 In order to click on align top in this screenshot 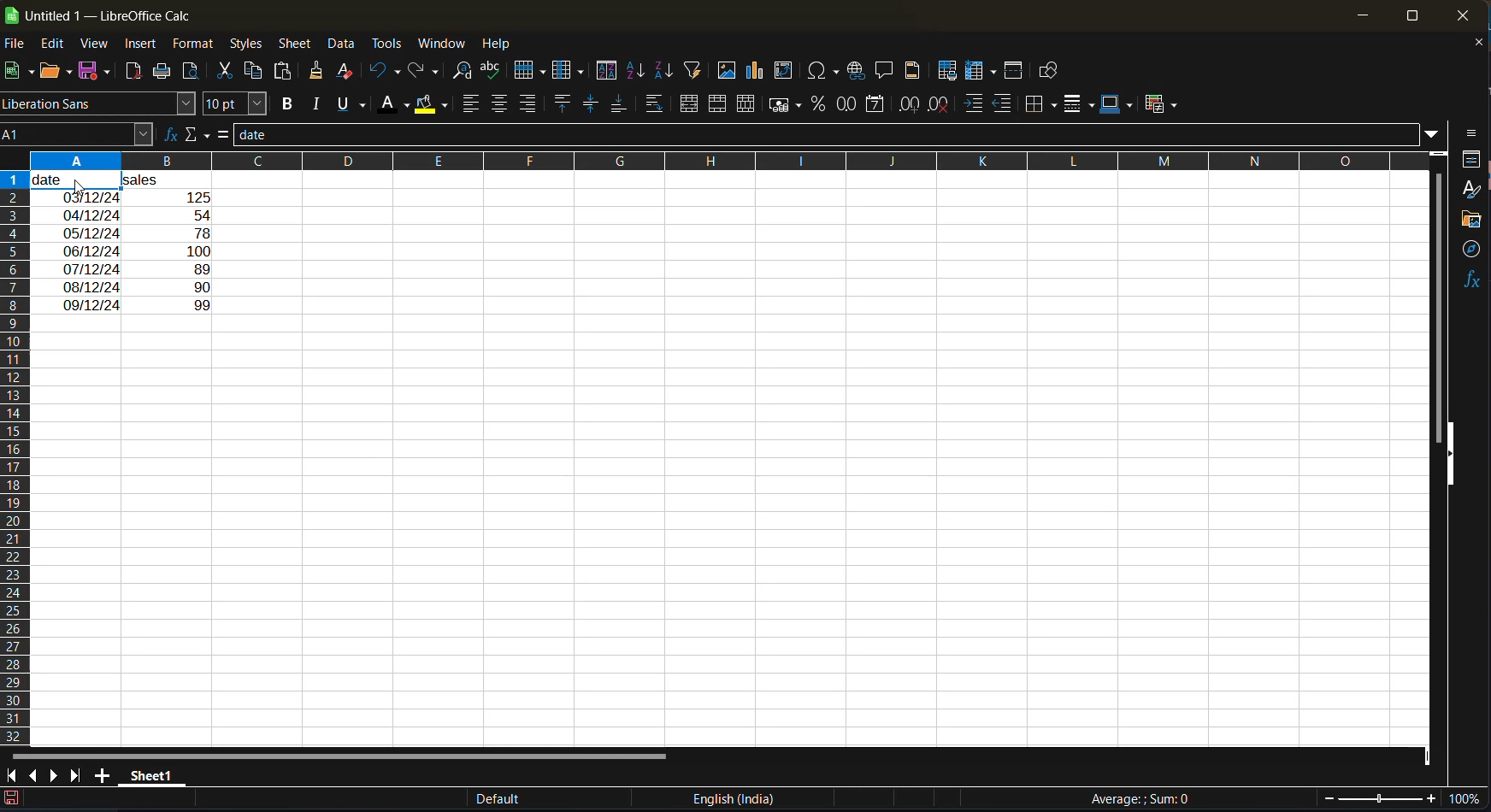, I will do `click(563, 104)`.